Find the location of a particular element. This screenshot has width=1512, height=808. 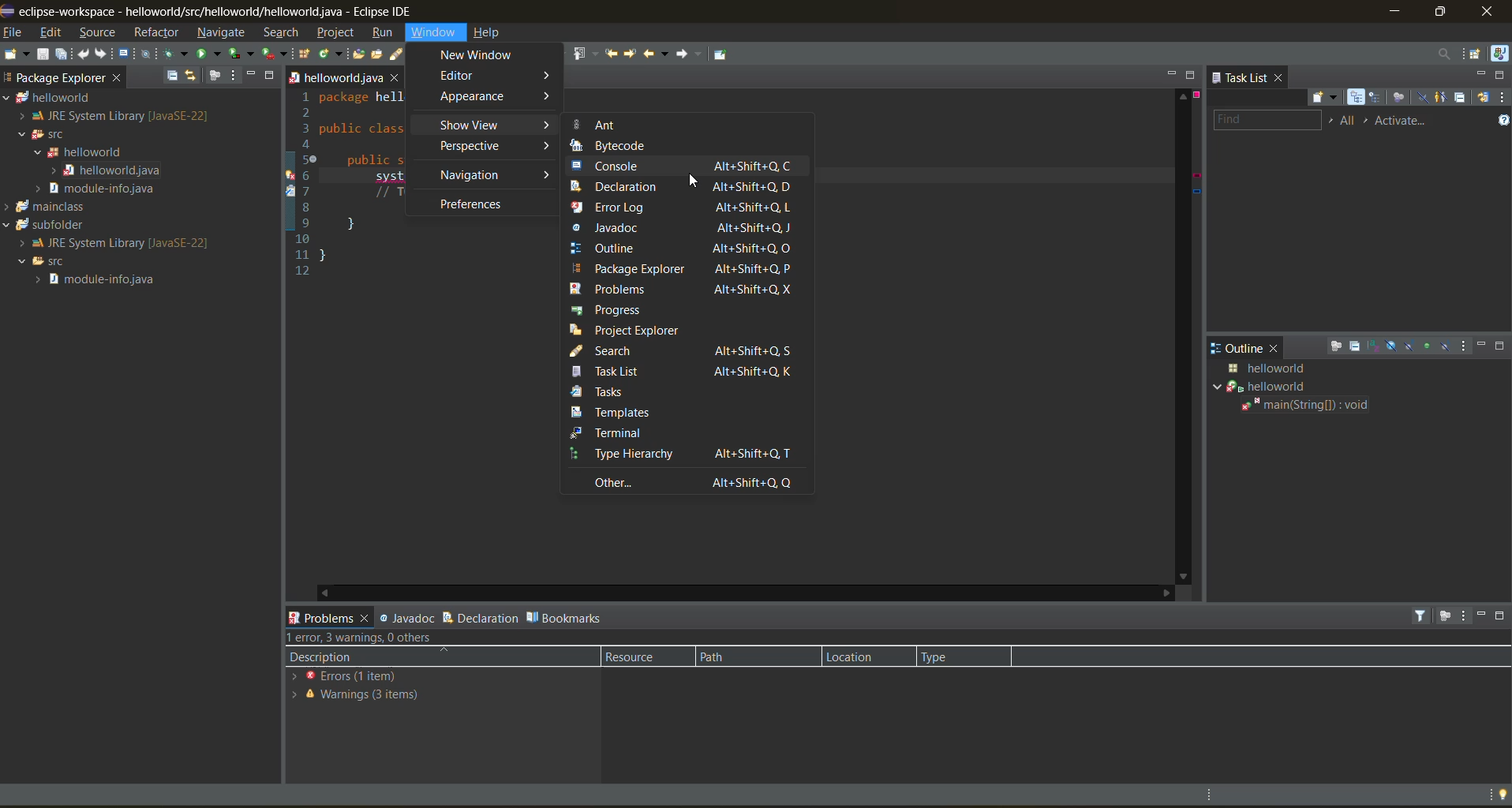

minimize is located at coordinates (1484, 346).